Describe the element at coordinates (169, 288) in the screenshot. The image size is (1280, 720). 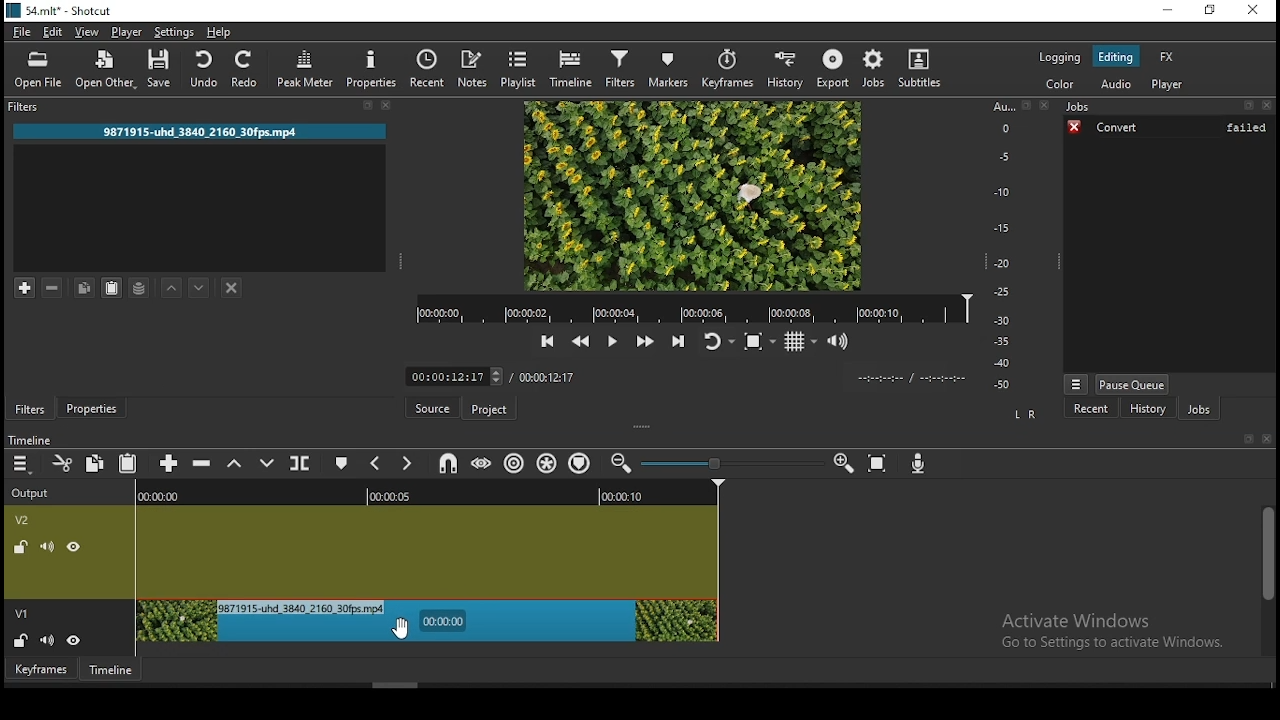
I see `move filter up` at that location.